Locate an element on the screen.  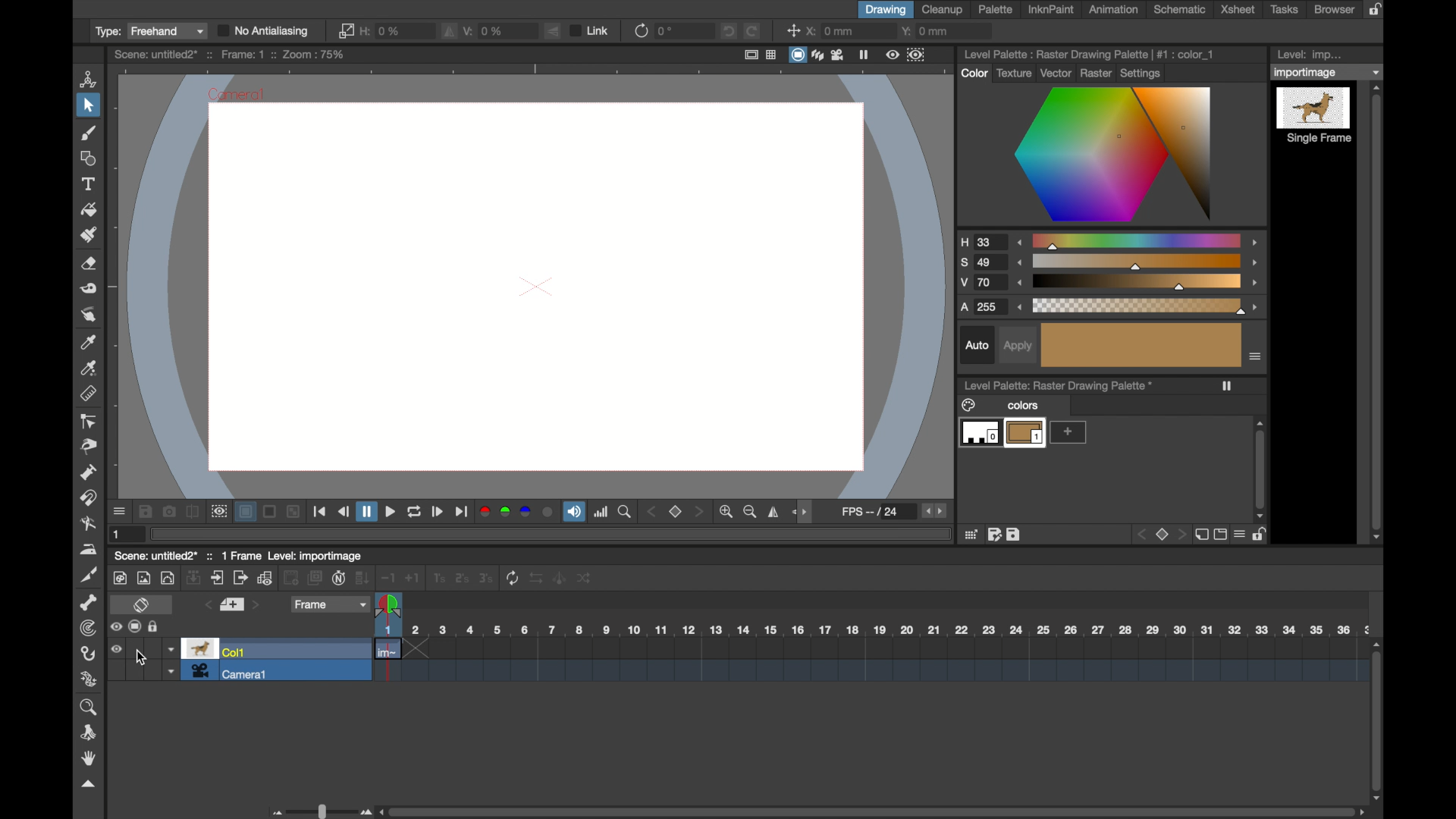
circle is located at coordinates (168, 577).